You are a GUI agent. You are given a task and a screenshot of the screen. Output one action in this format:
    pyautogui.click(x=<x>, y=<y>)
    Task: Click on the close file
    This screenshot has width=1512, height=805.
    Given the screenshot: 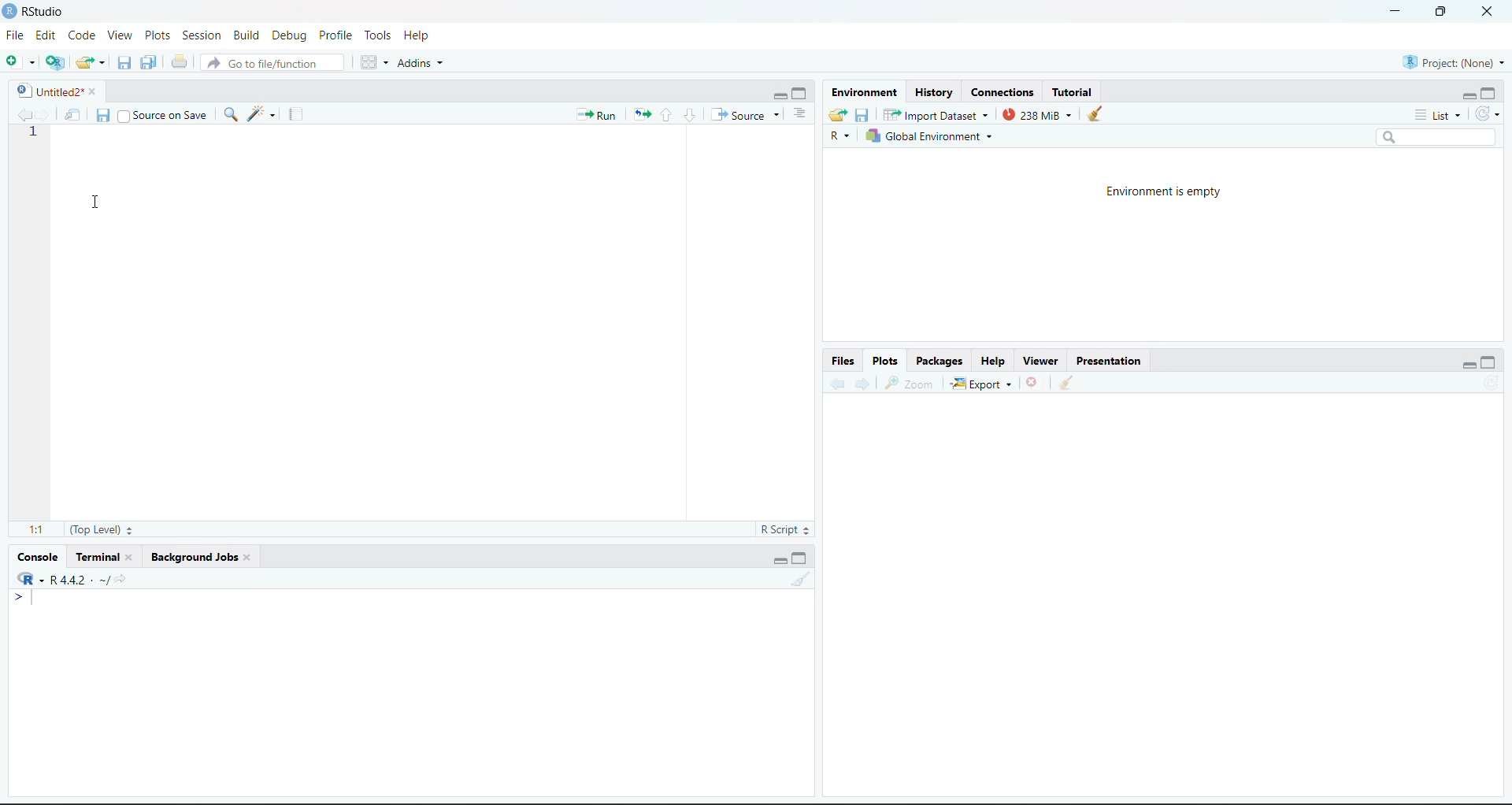 What is the action you would take?
    pyautogui.click(x=1033, y=382)
    